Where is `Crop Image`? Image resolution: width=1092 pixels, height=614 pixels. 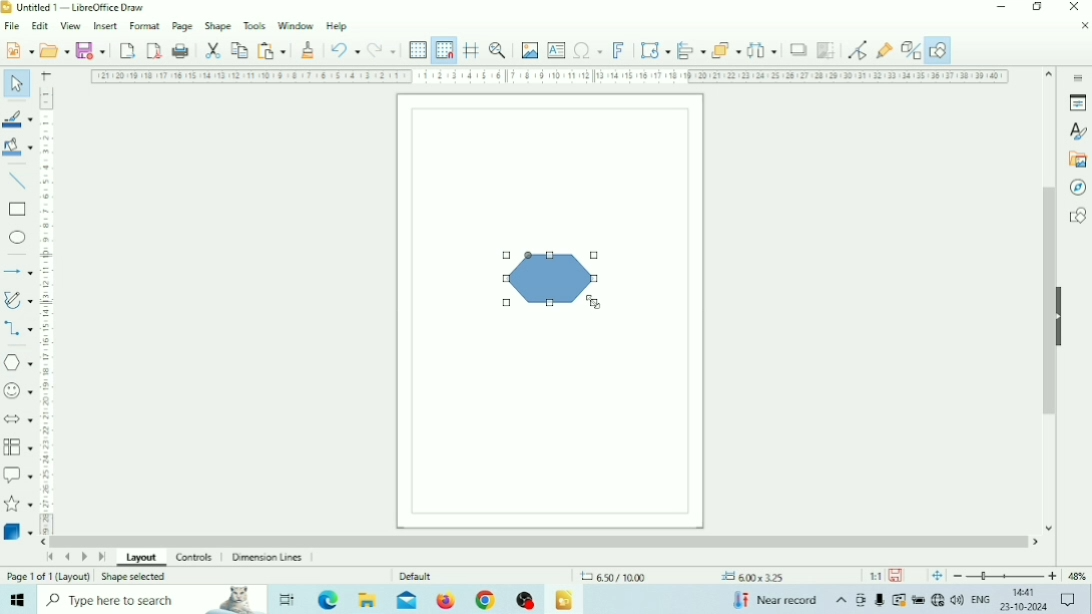 Crop Image is located at coordinates (825, 50).